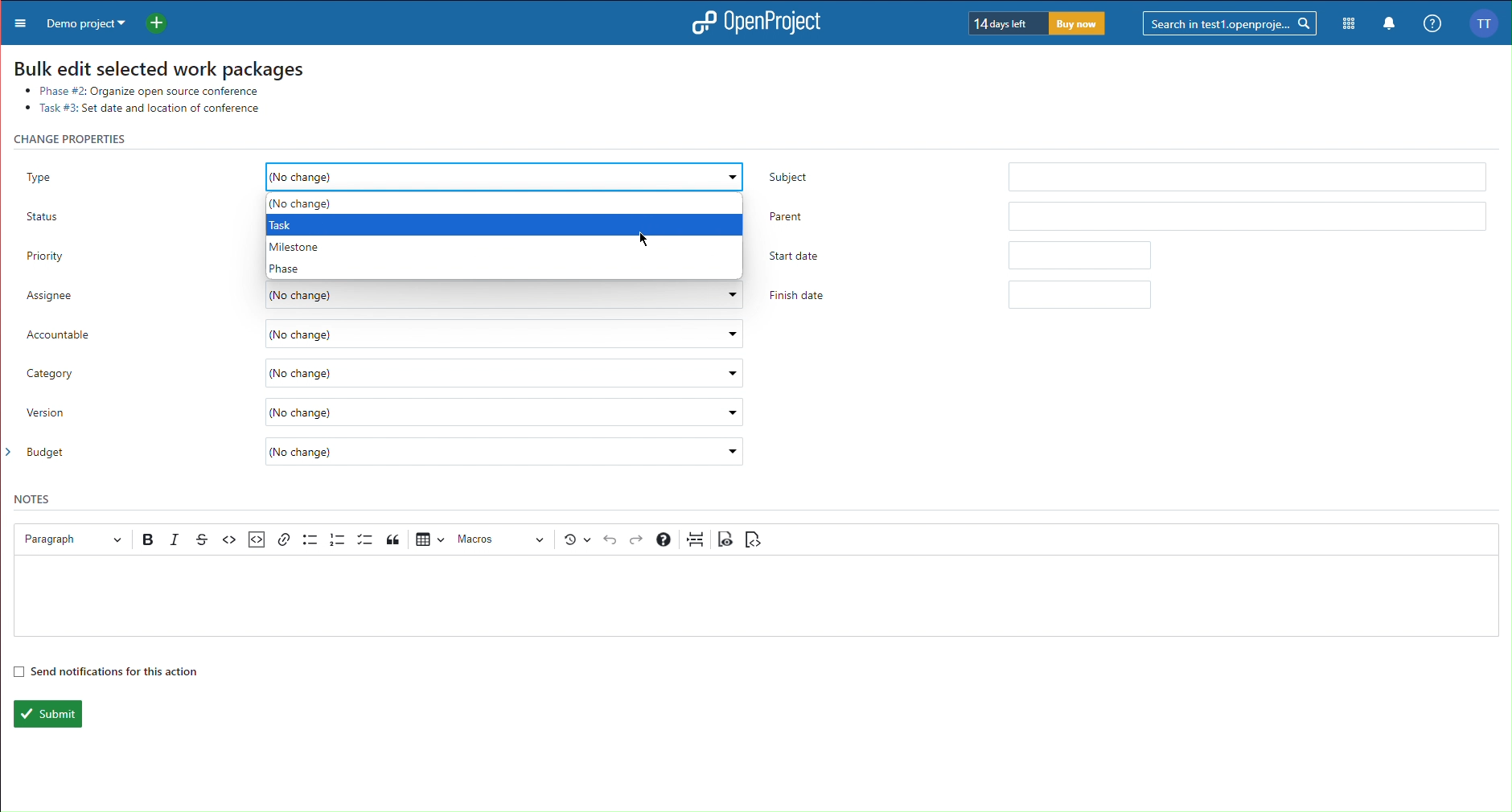 Image resolution: width=1512 pixels, height=812 pixels. Describe the element at coordinates (150, 539) in the screenshot. I see `Bold` at that location.